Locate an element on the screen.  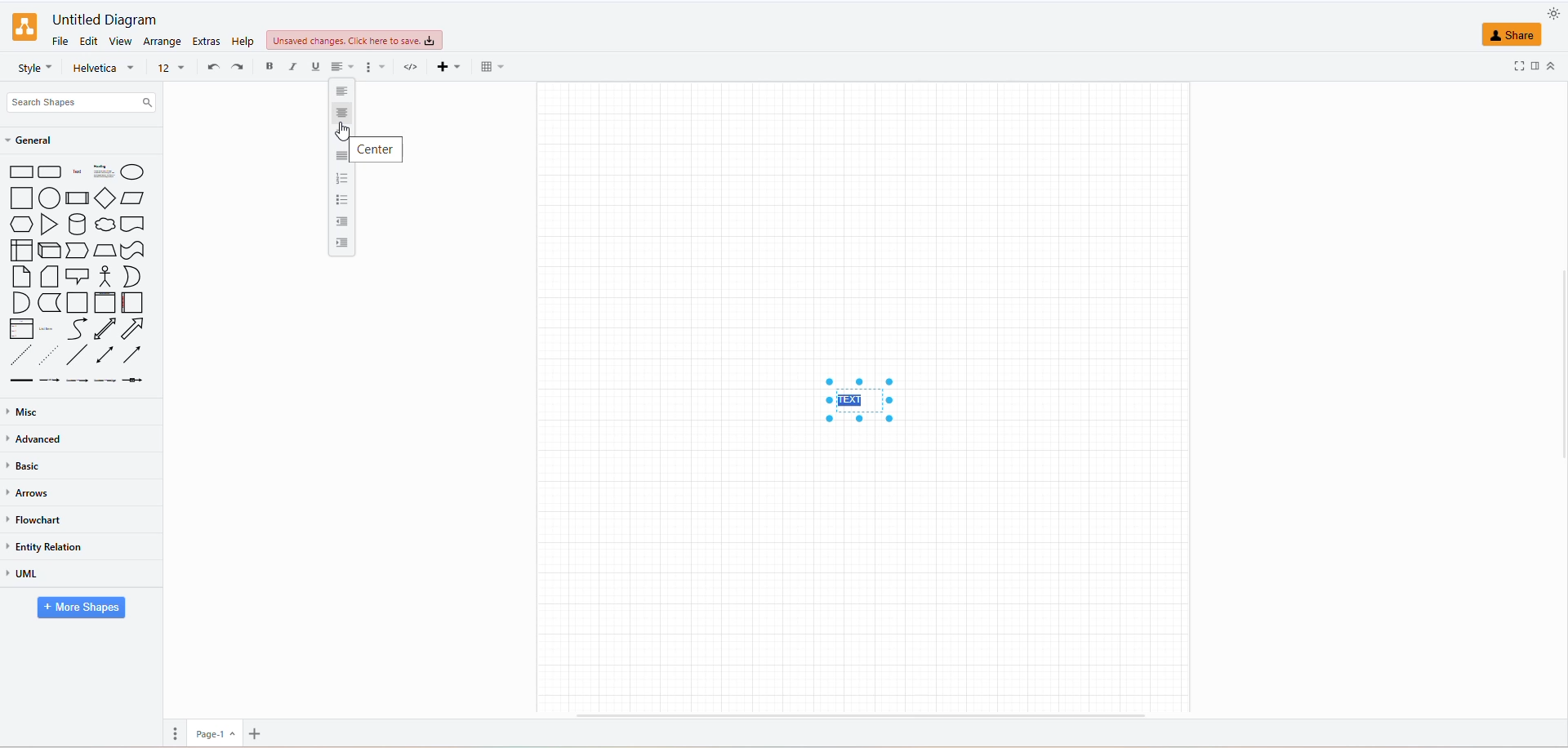
basic is located at coordinates (26, 469).